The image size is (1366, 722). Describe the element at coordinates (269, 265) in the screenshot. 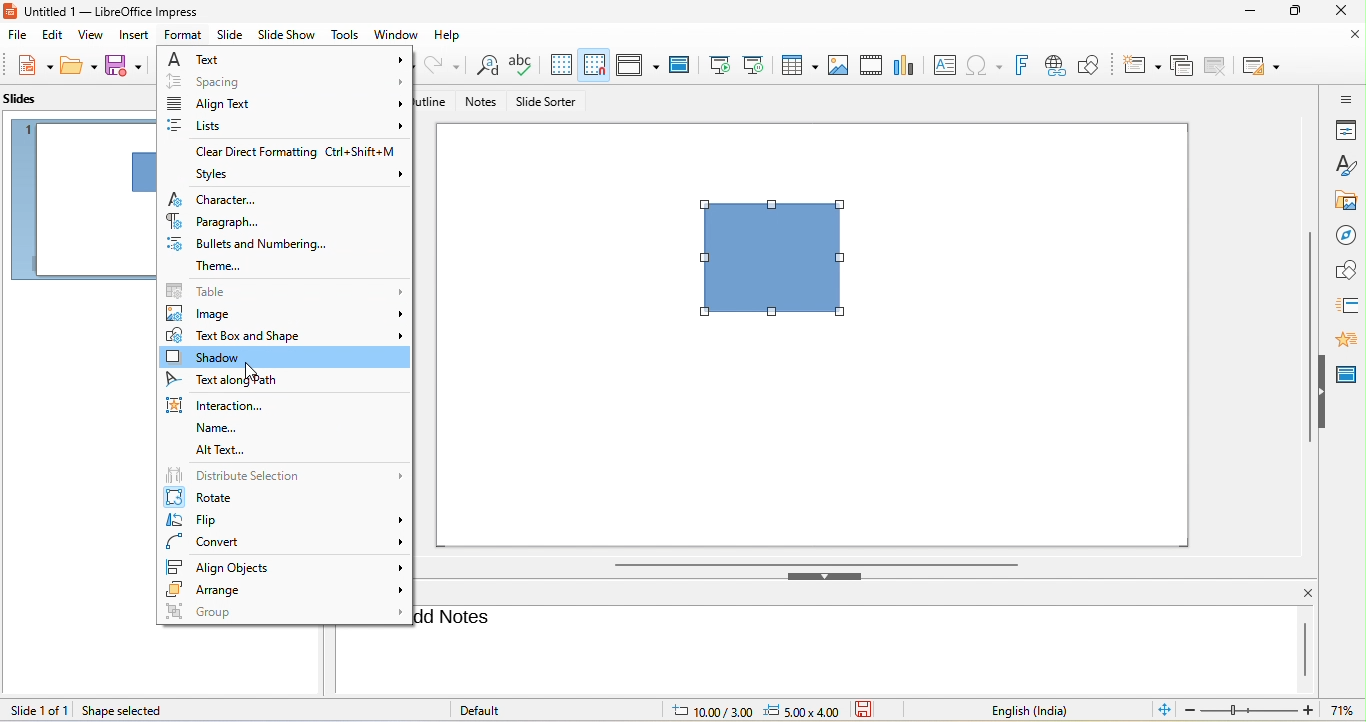

I see `theme` at that location.